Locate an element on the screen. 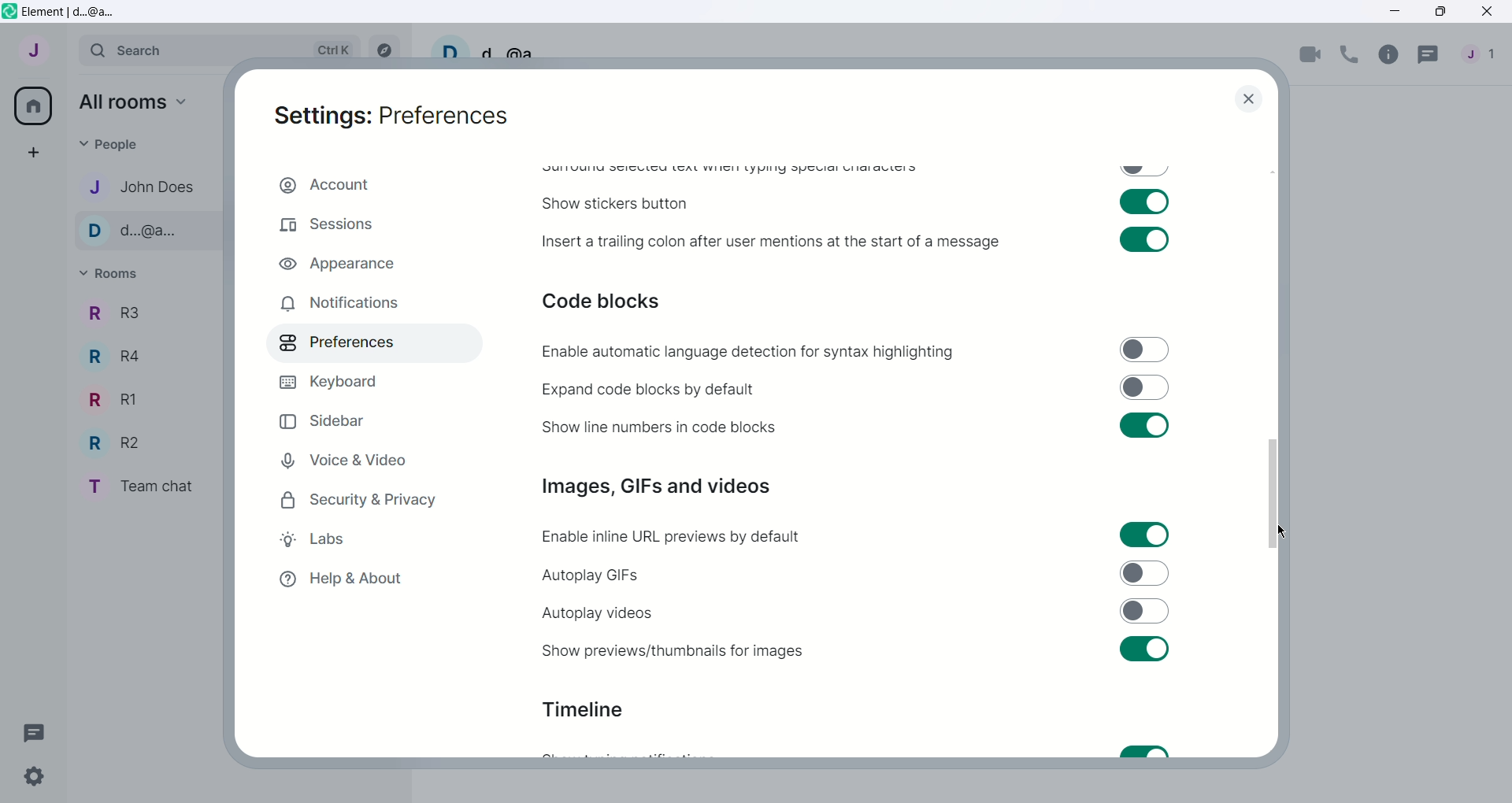 The height and width of the screenshot is (803, 1512). Show line numbers in code blocks is located at coordinates (659, 426).